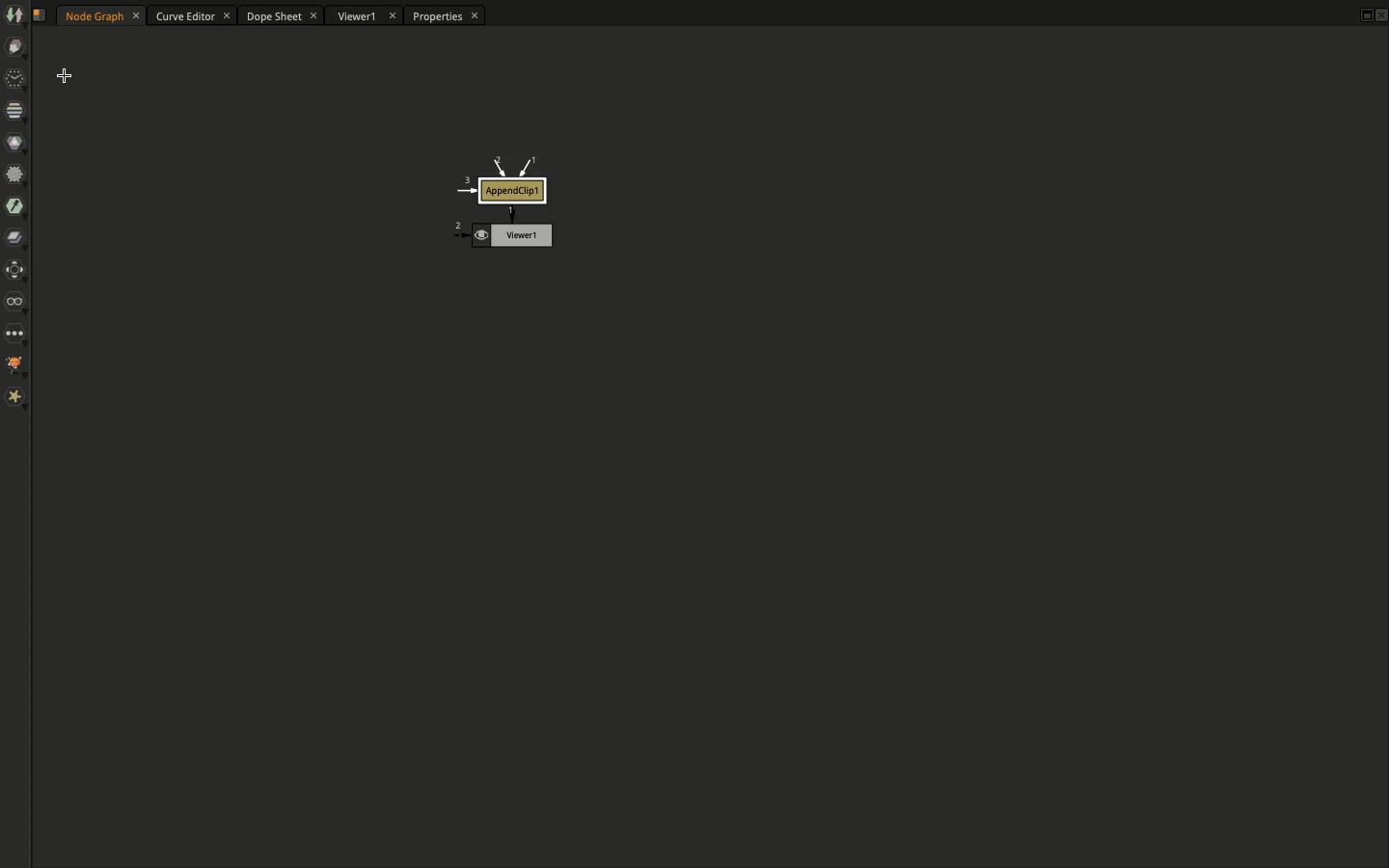 The image size is (1389, 868). Describe the element at coordinates (15, 272) in the screenshot. I see `Transform` at that location.